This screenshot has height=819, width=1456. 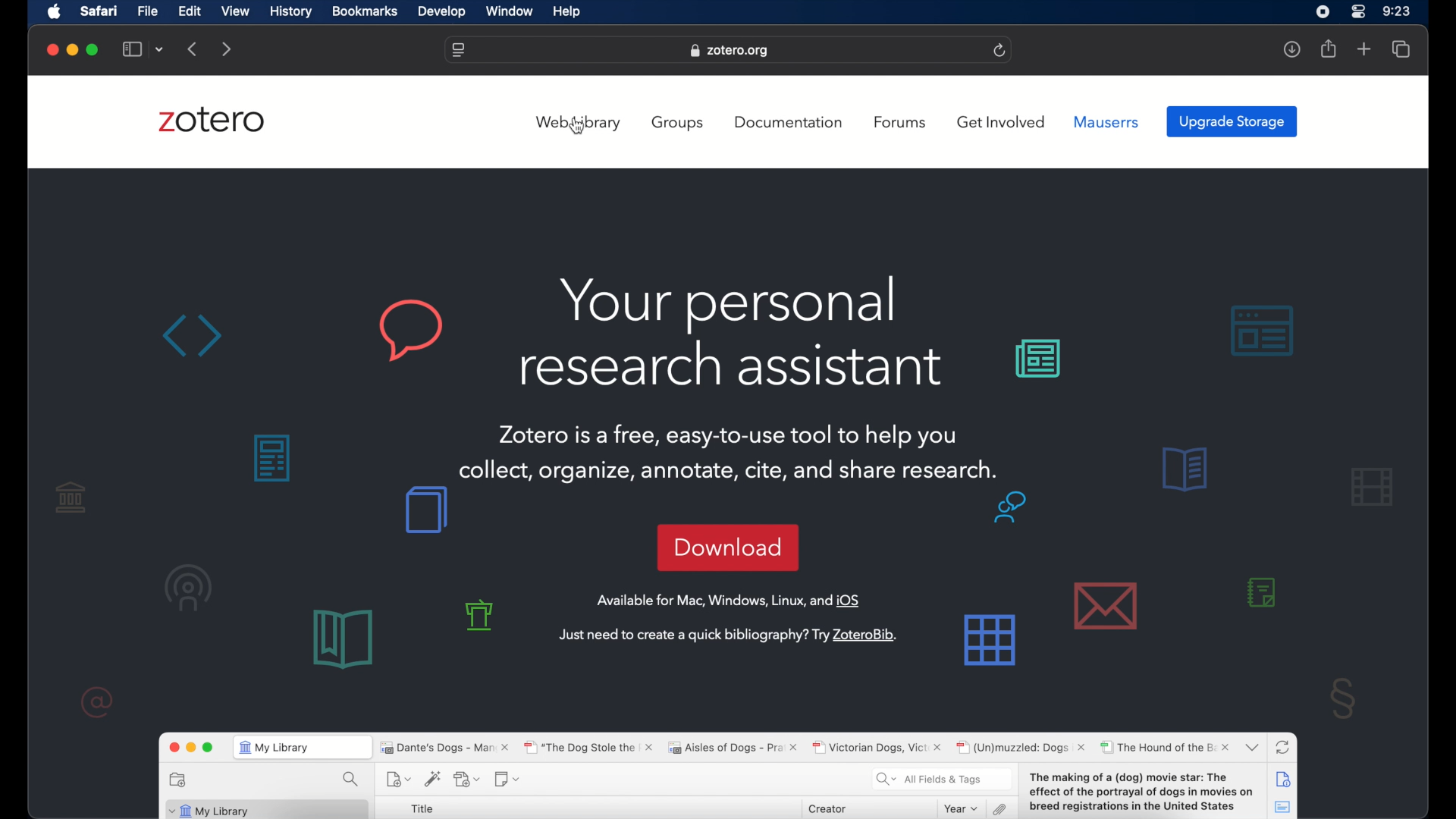 I want to click on history, so click(x=291, y=12).